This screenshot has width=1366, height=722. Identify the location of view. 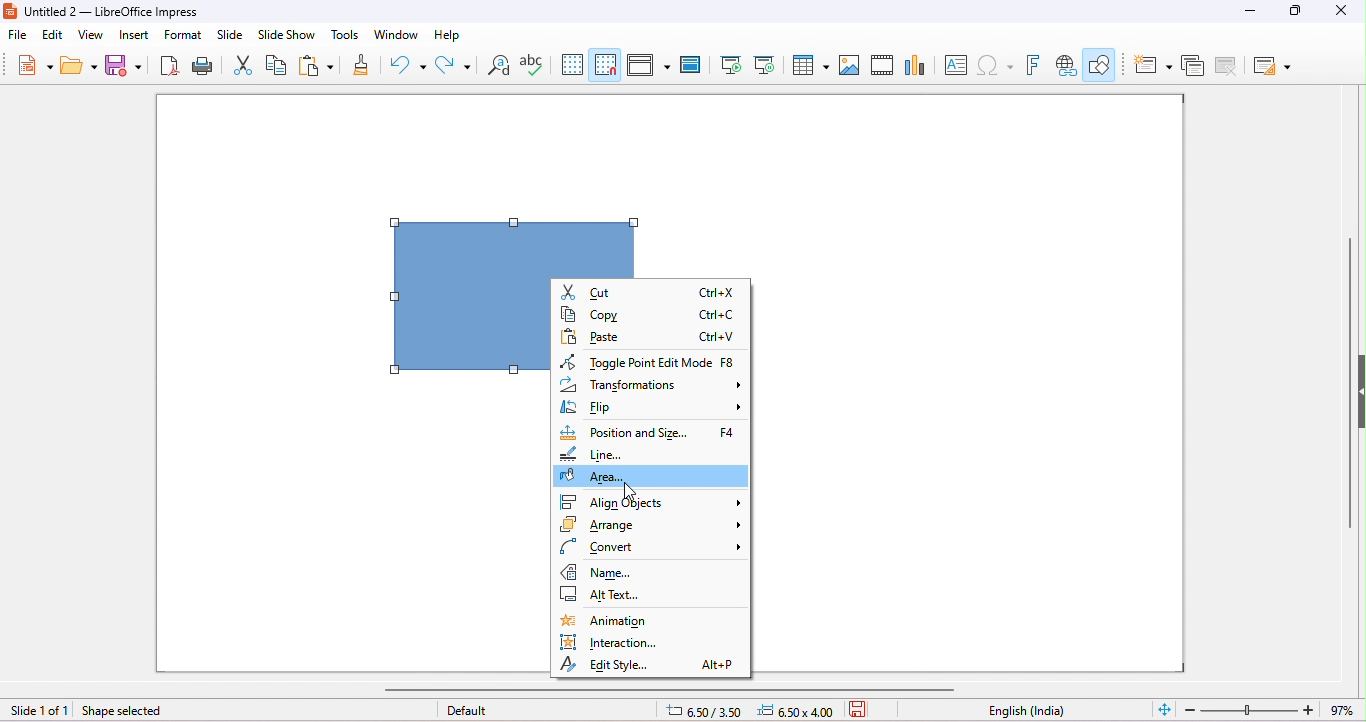
(91, 35).